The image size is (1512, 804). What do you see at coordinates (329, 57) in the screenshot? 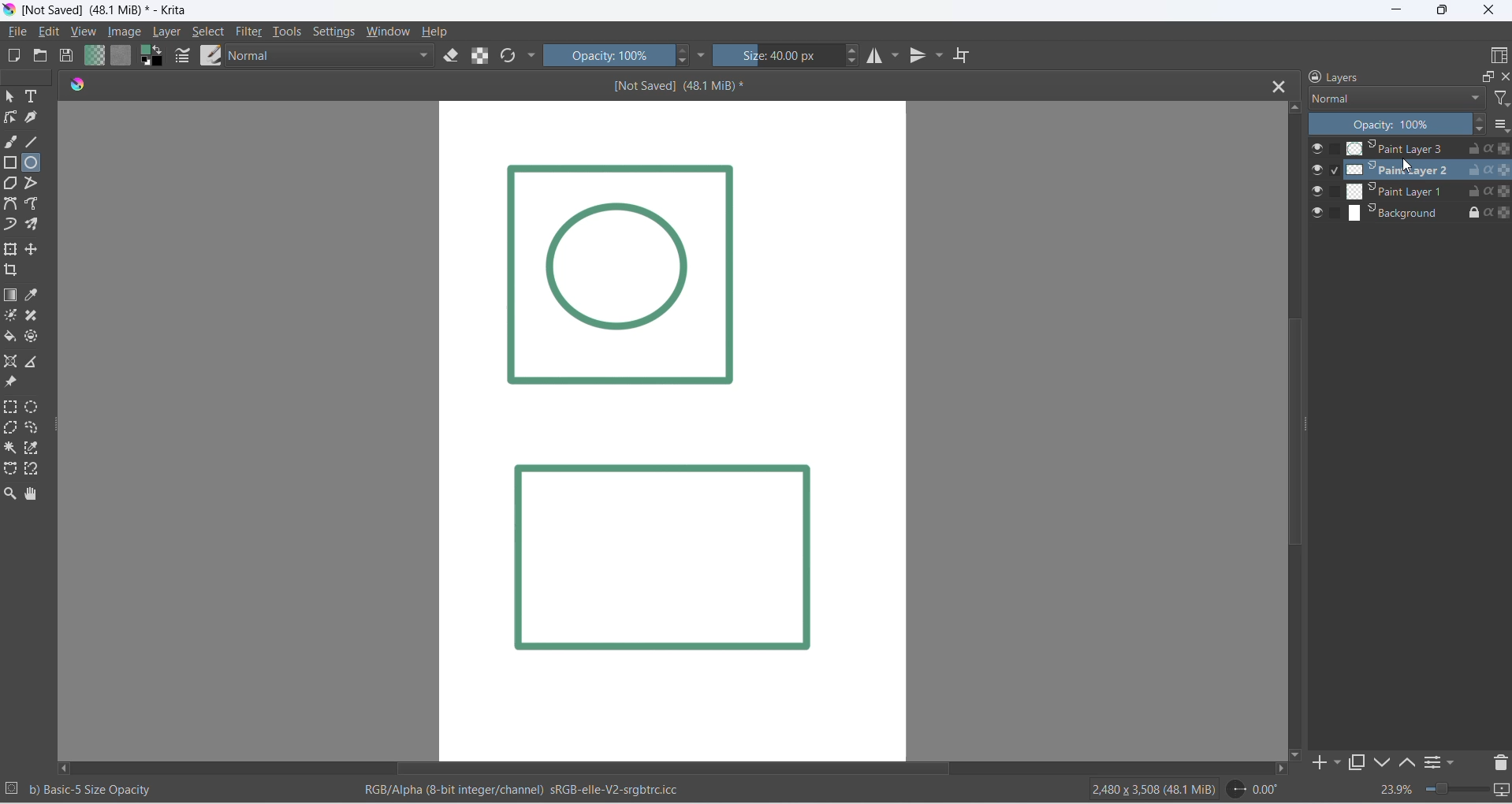
I see `blending mode` at bounding box center [329, 57].